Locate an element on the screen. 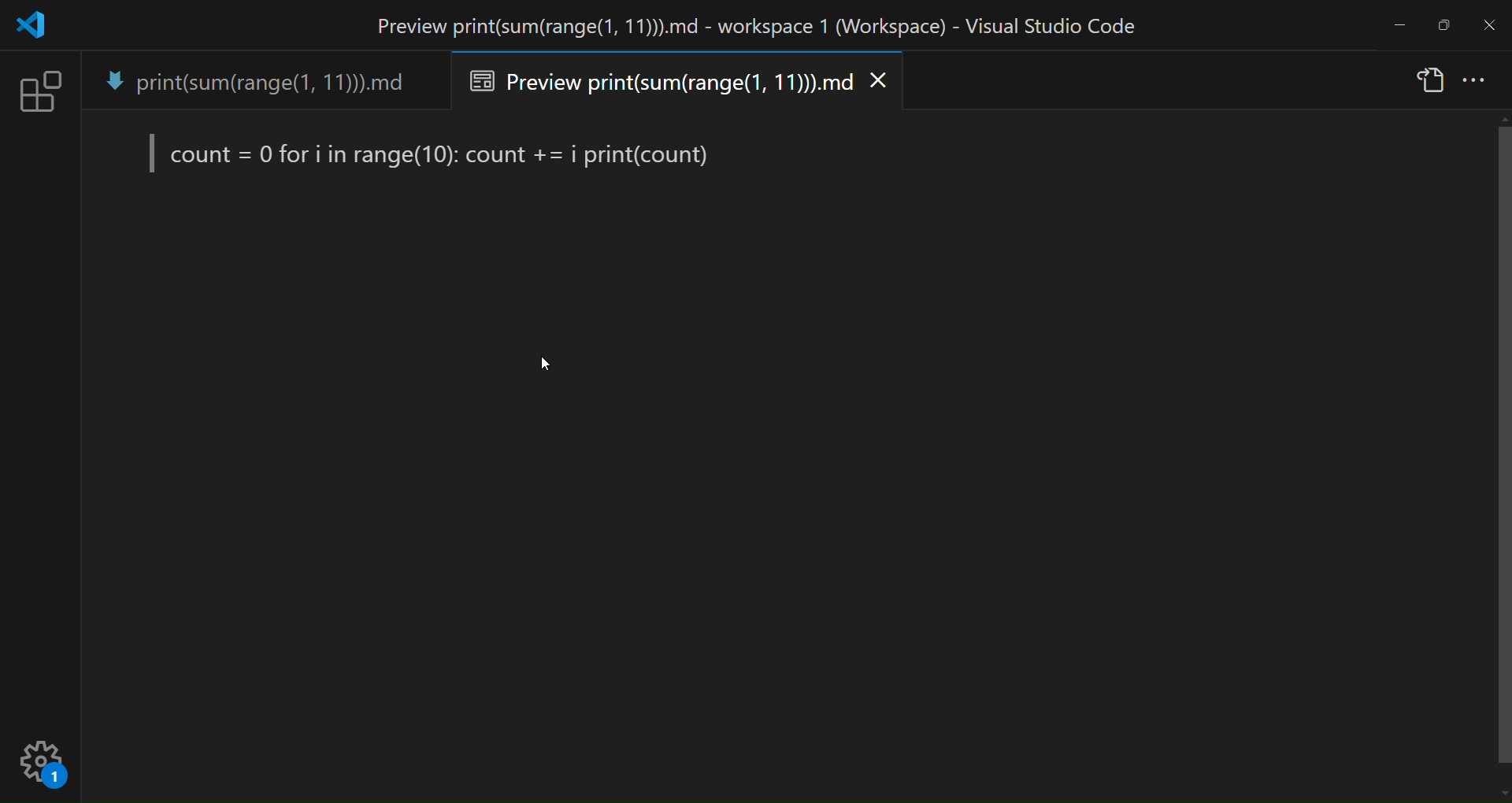 The height and width of the screenshot is (803, 1512). scroll bar is located at coordinates (1492, 407).